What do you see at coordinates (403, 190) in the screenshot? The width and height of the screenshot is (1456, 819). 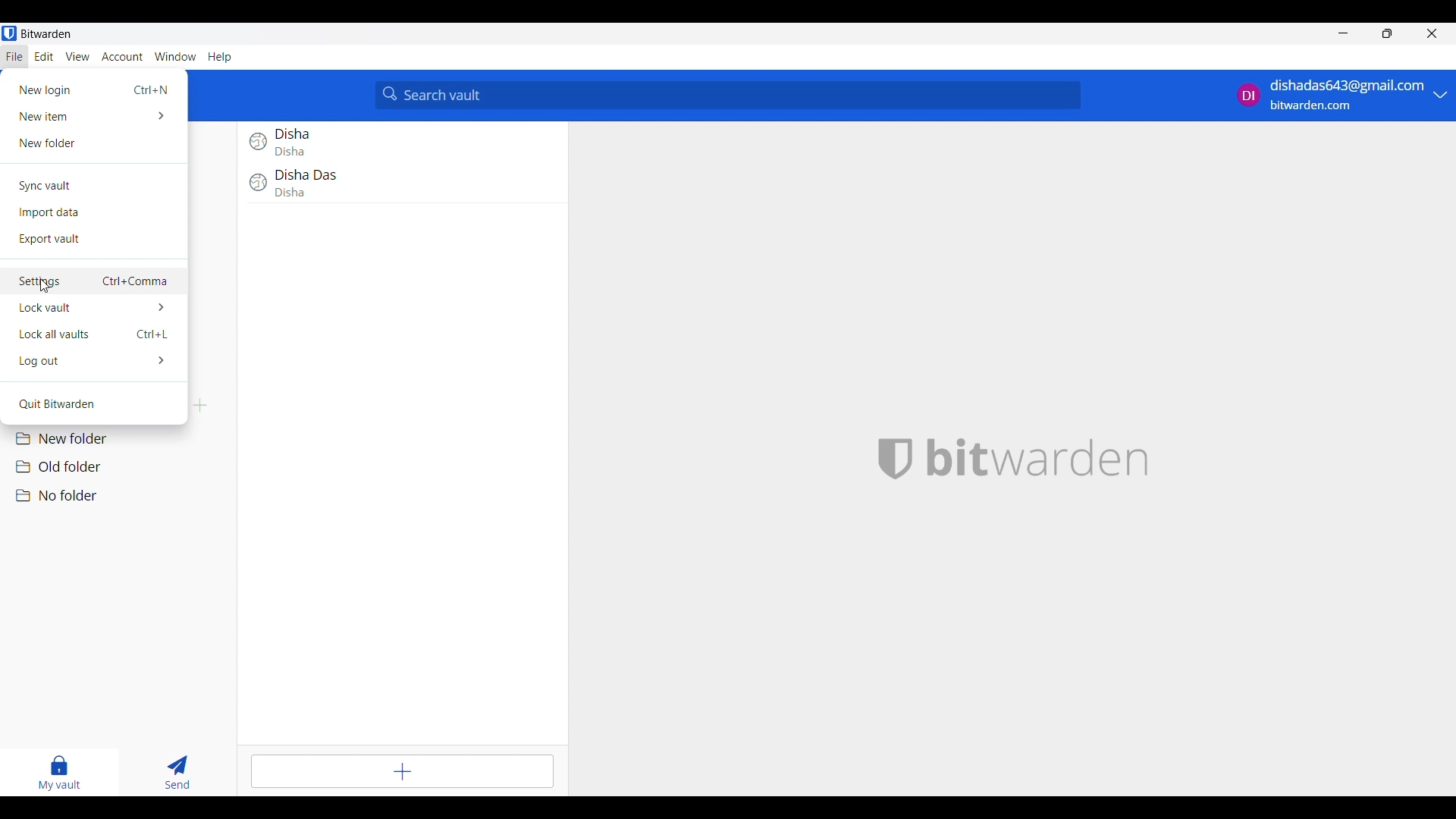 I see `Disha Das login entry` at bounding box center [403, 190].